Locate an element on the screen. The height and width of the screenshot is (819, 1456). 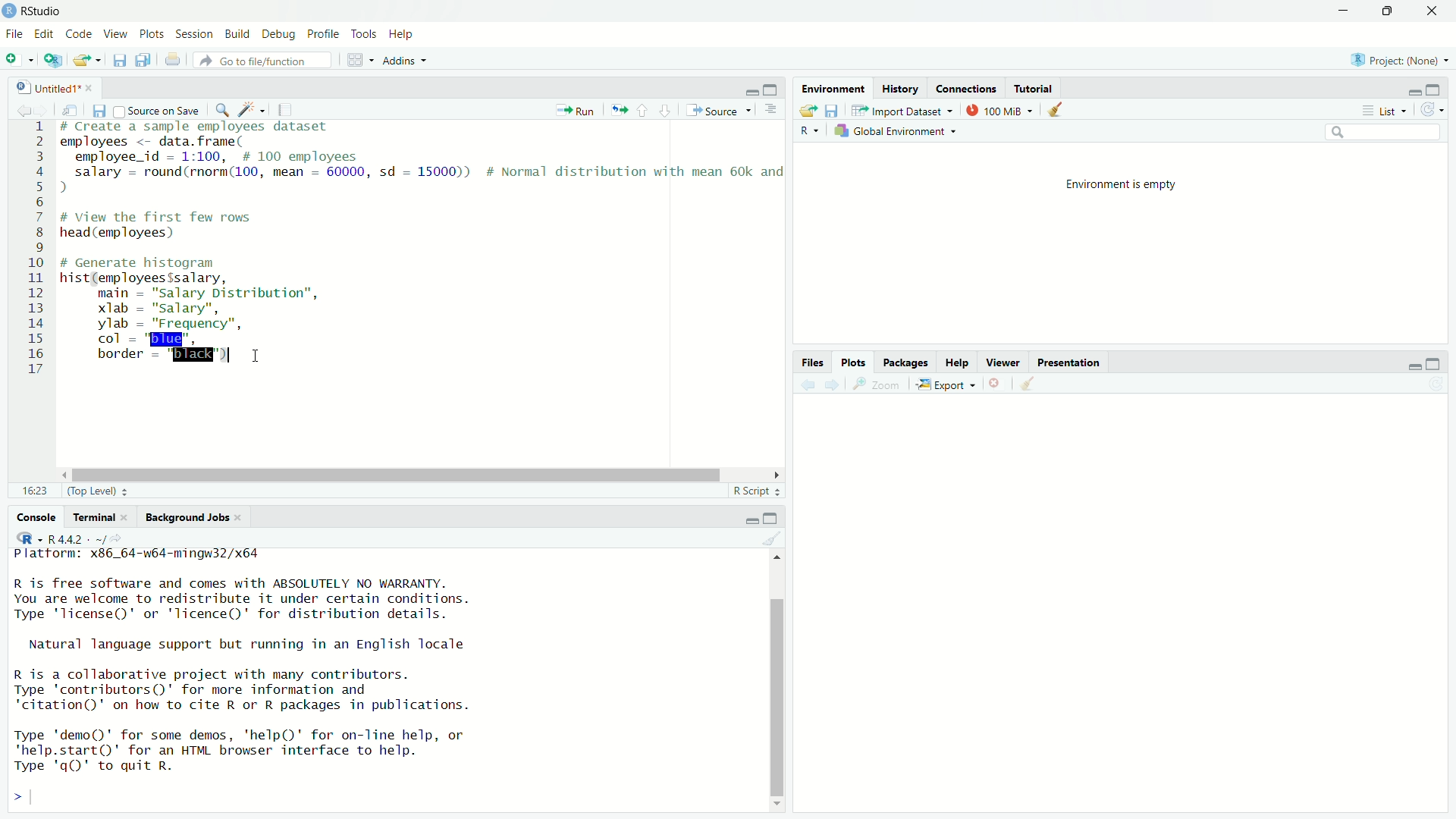
Plots is located at coordinates (854, 362).